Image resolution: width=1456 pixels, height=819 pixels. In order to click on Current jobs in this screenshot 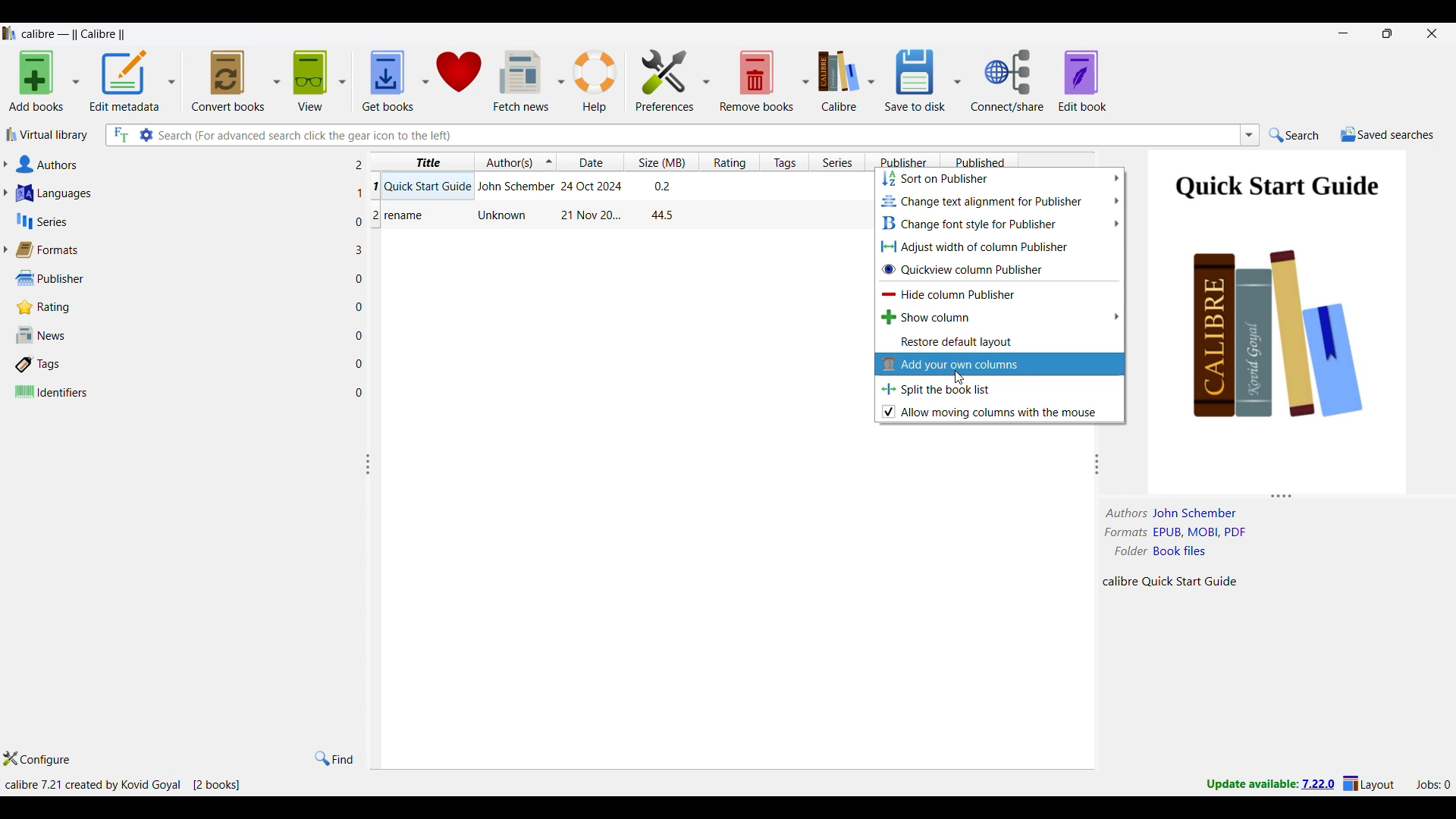, I will do `click(1432, 785)`.